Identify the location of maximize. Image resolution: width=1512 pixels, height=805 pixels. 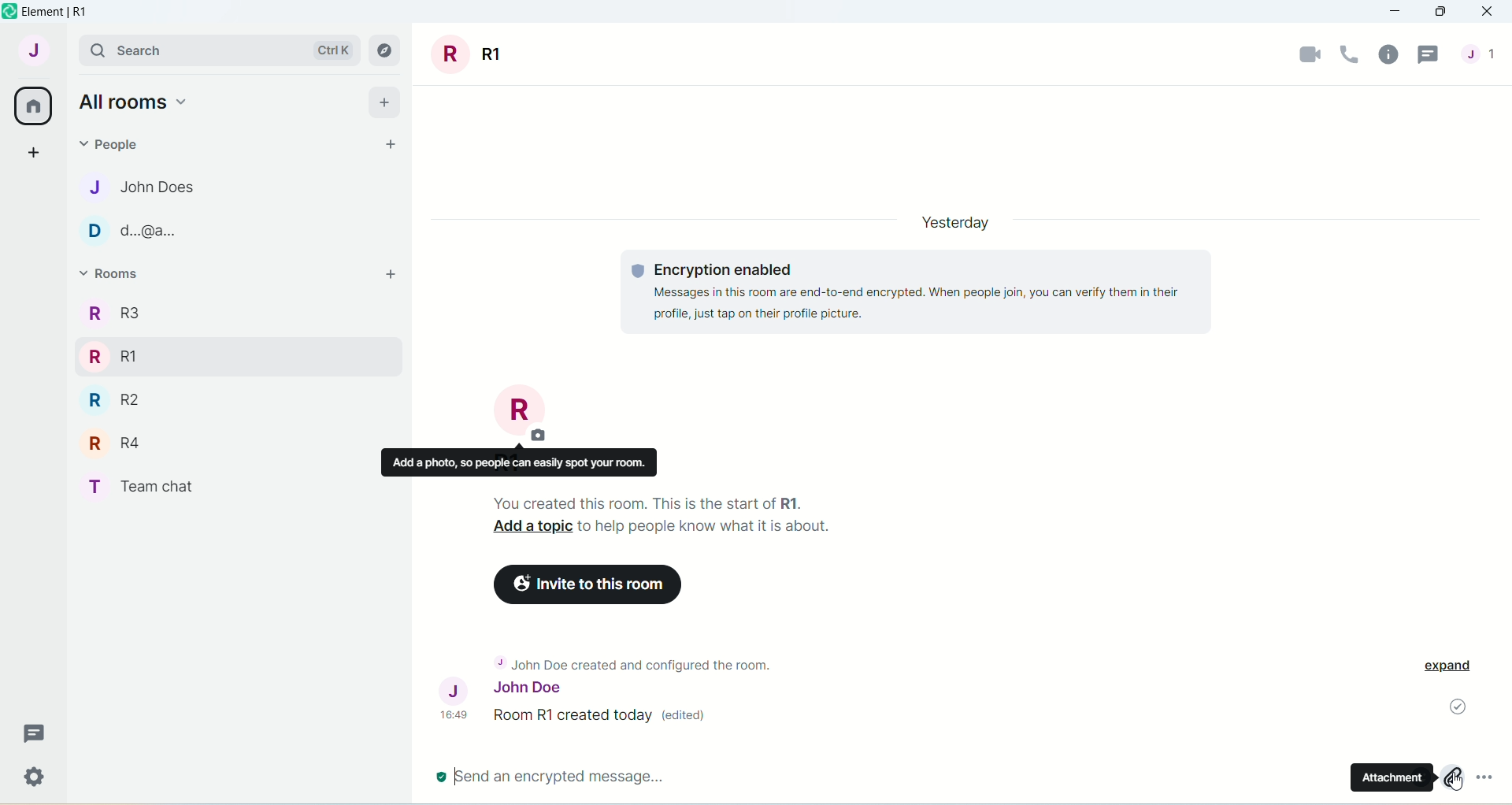
(1443, 15).